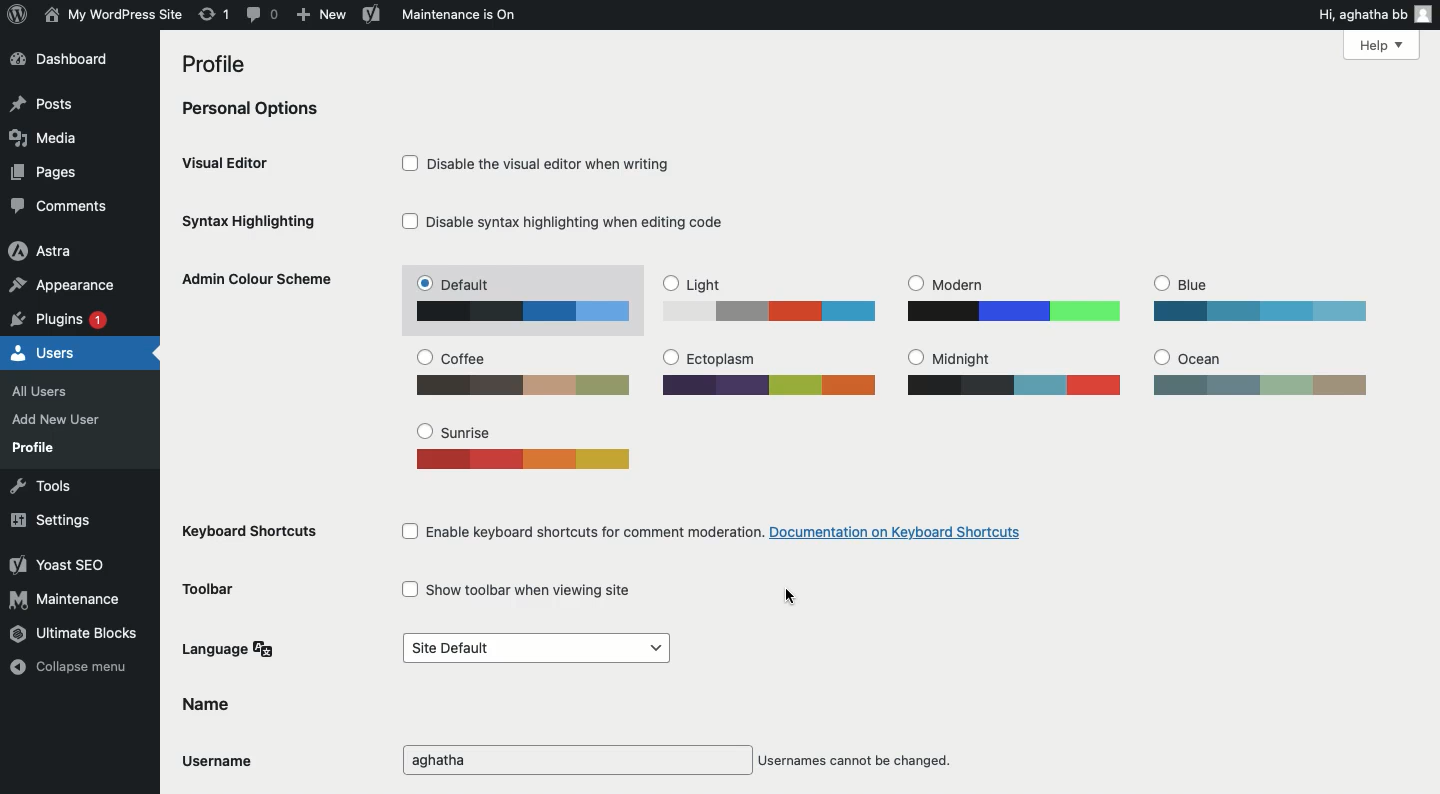 The image size is (1440, 794). Describe the element at coordinates (45, 170) in the screenshot. I see `Pages` at that location.